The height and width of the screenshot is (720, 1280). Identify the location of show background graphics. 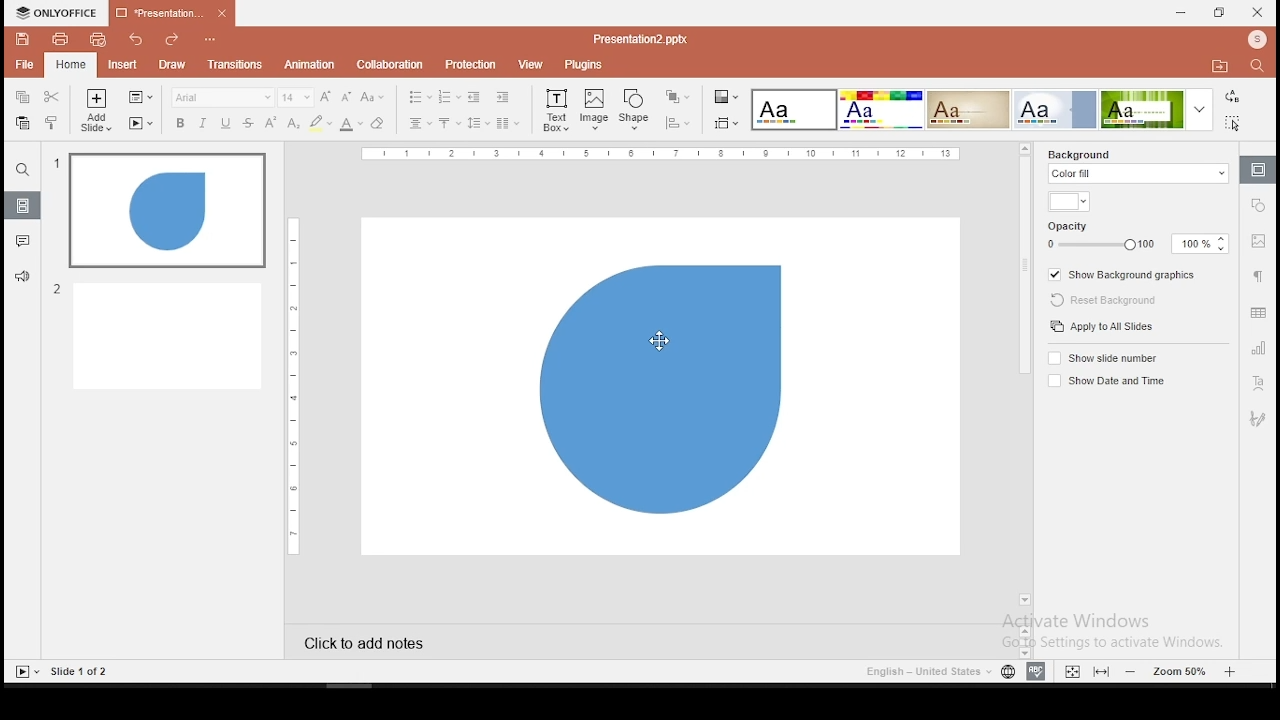
(1121, 274).